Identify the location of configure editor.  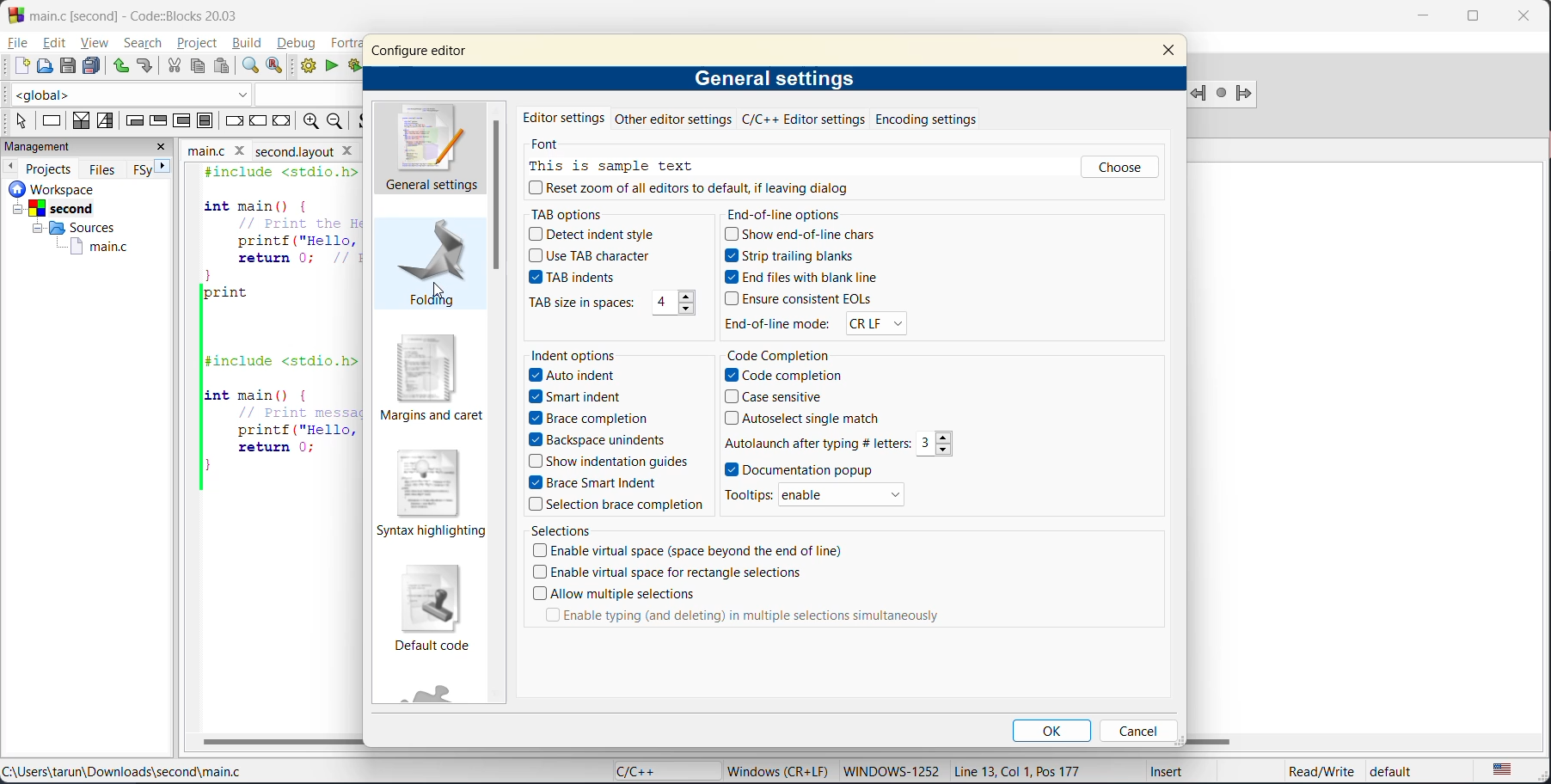
(433, 46).